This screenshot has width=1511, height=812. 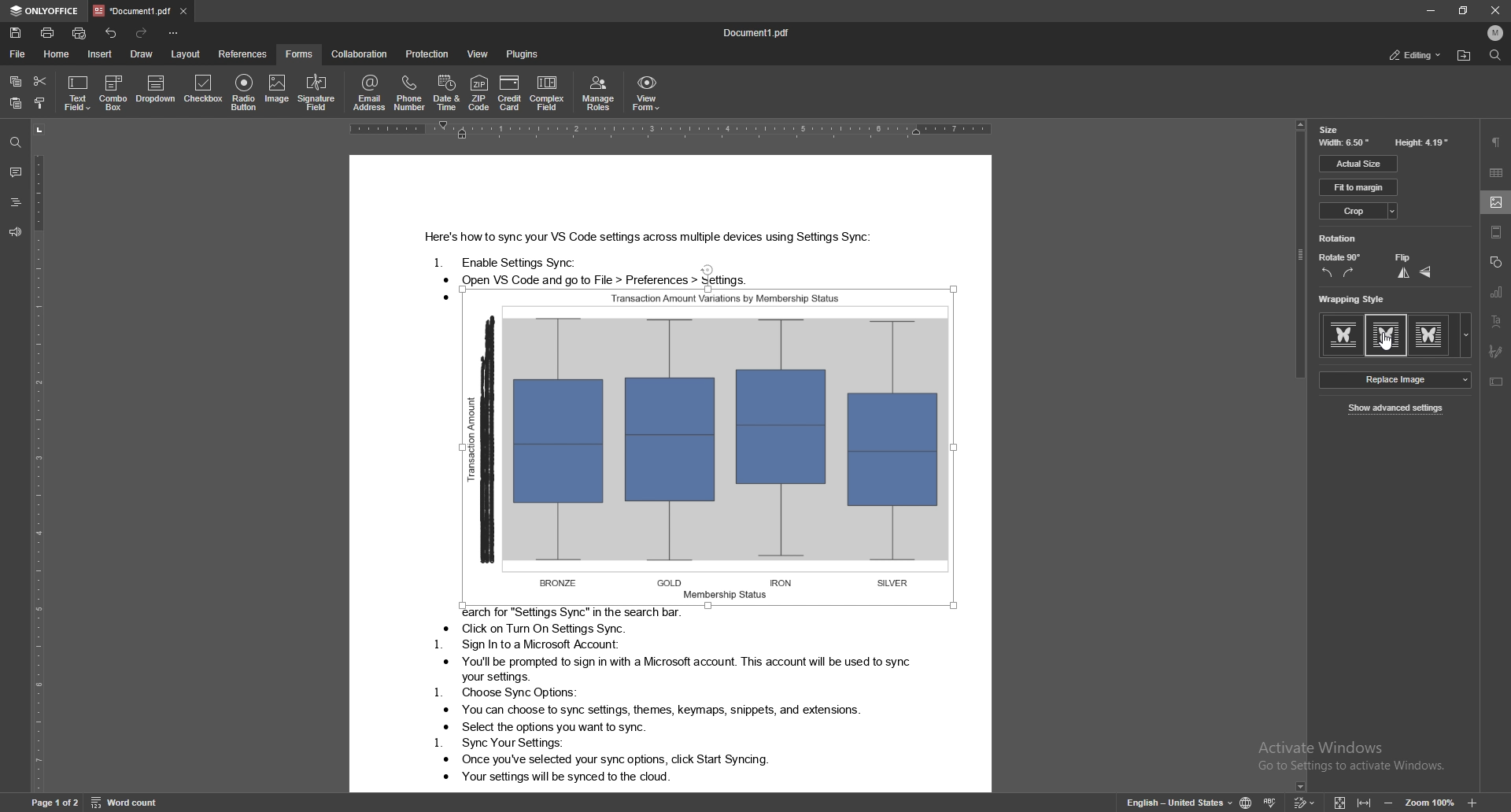 I want to click on style 1, so click(x=1342, y=335).